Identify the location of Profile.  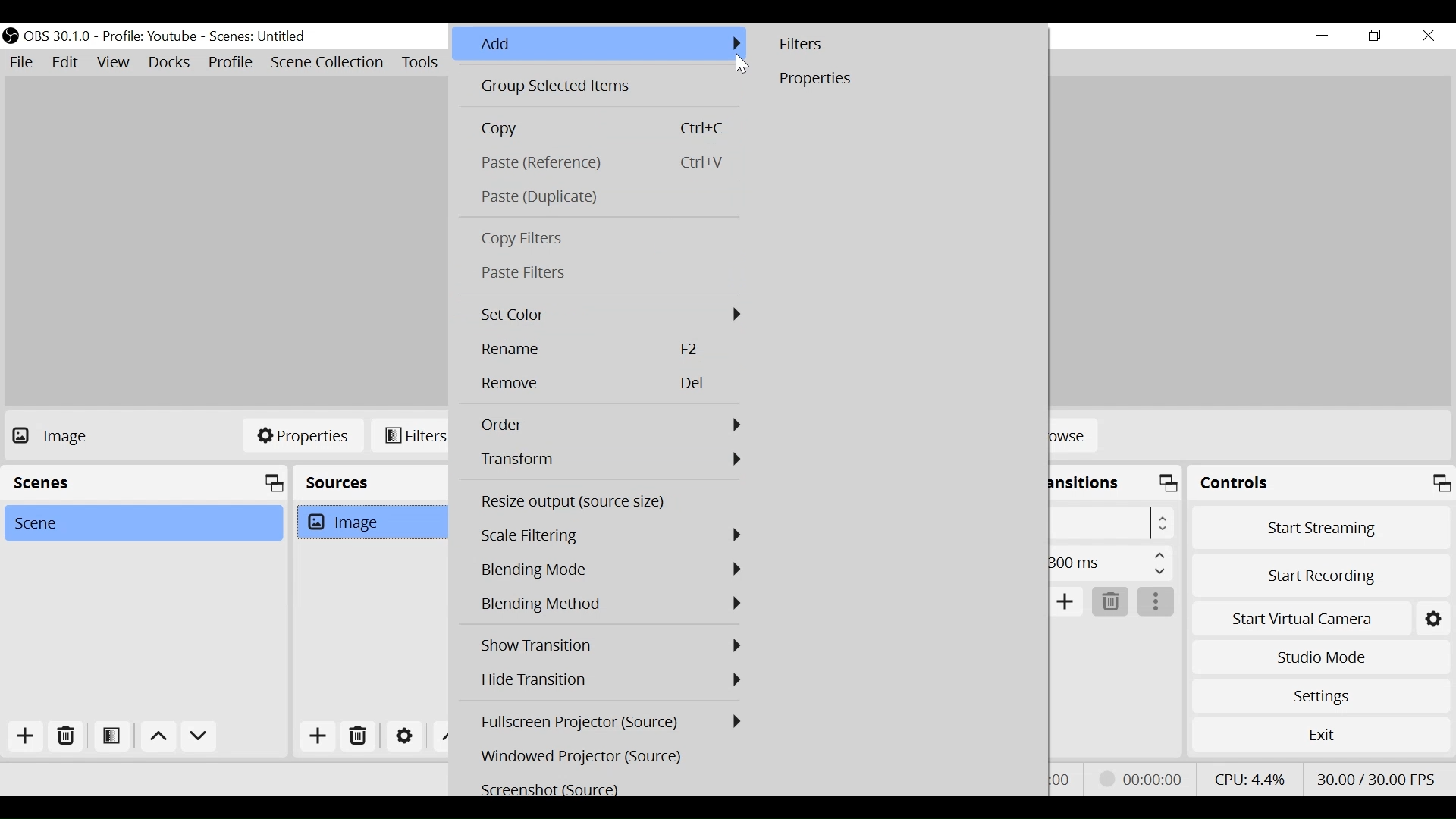
(149, 37).